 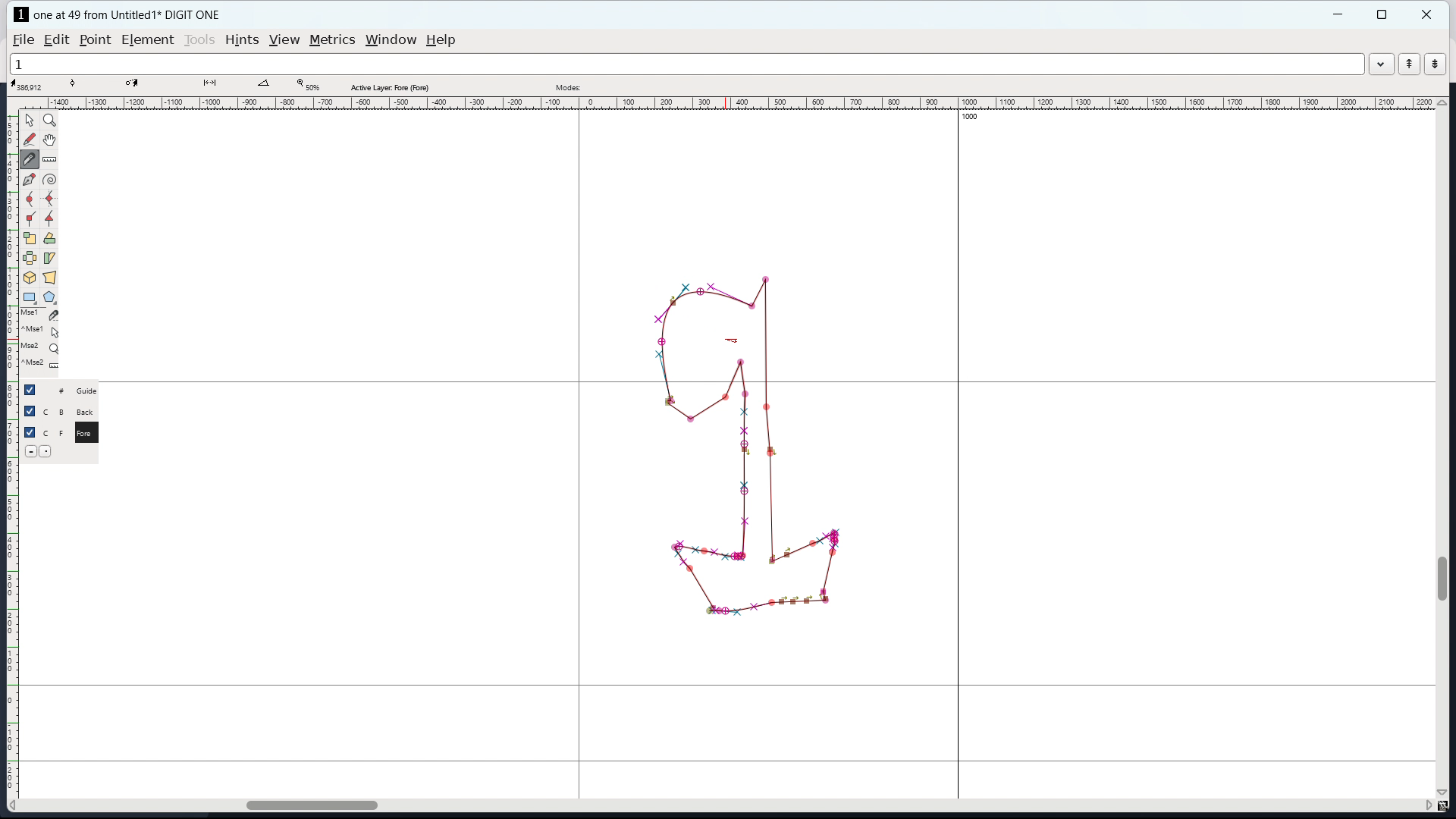 What do you see at coordinates (304, 803) in the screenshot?
I see `horizontal scrollbar` at bounding box center [304, 803].